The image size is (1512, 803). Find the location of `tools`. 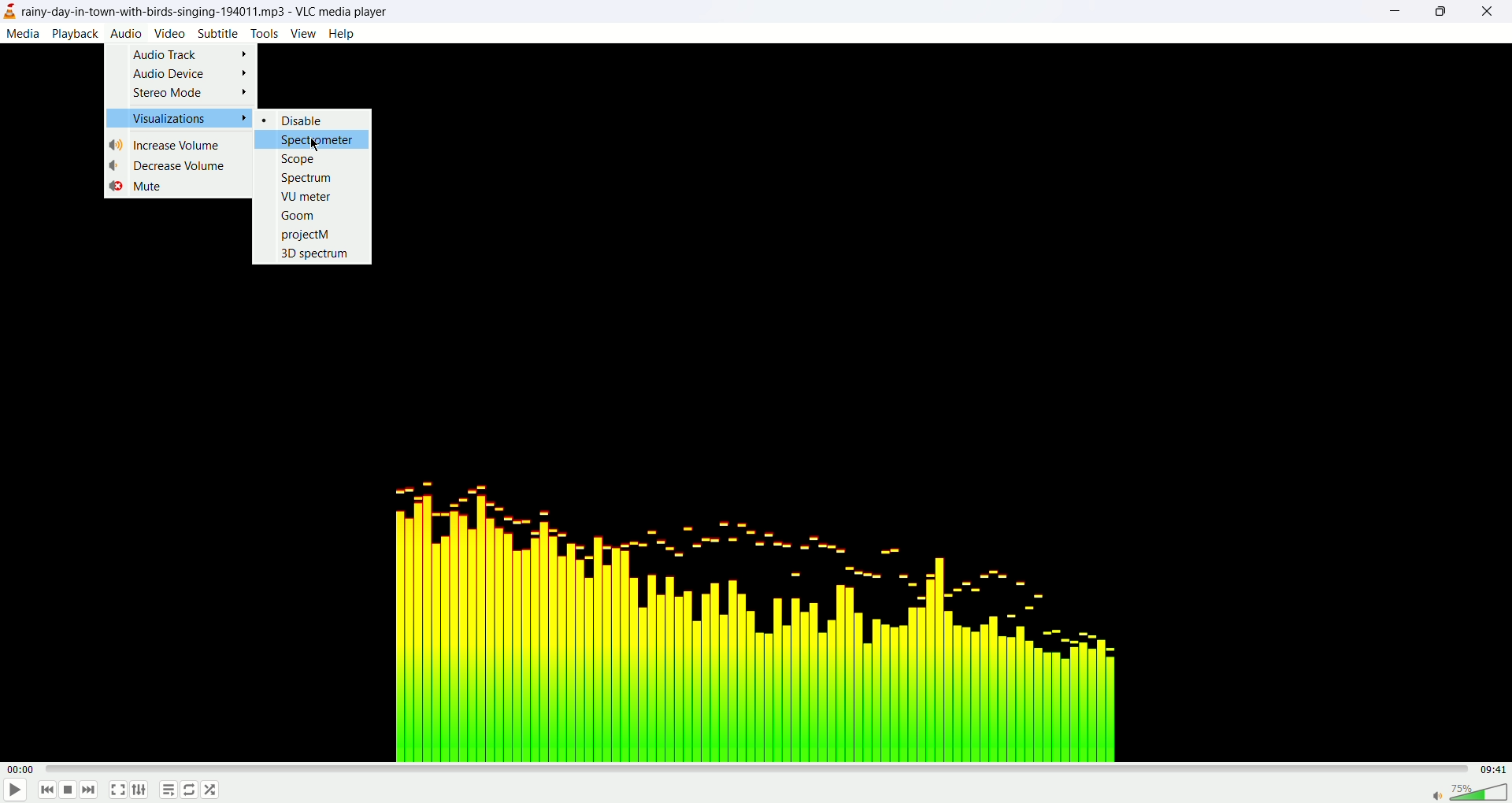

tools is located at coordinates (264, 32).